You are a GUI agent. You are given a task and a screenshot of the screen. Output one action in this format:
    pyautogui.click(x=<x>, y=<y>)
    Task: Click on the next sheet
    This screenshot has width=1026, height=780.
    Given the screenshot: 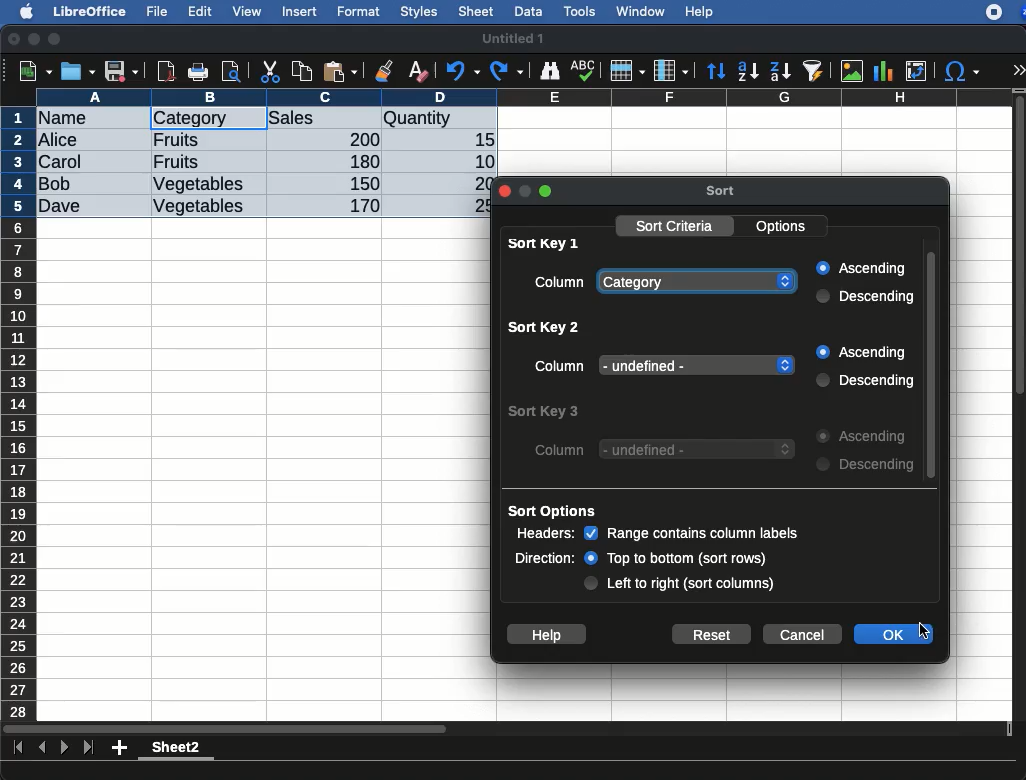 What is the action you would take?
    pyautogui.click(x=62, y=749)
    